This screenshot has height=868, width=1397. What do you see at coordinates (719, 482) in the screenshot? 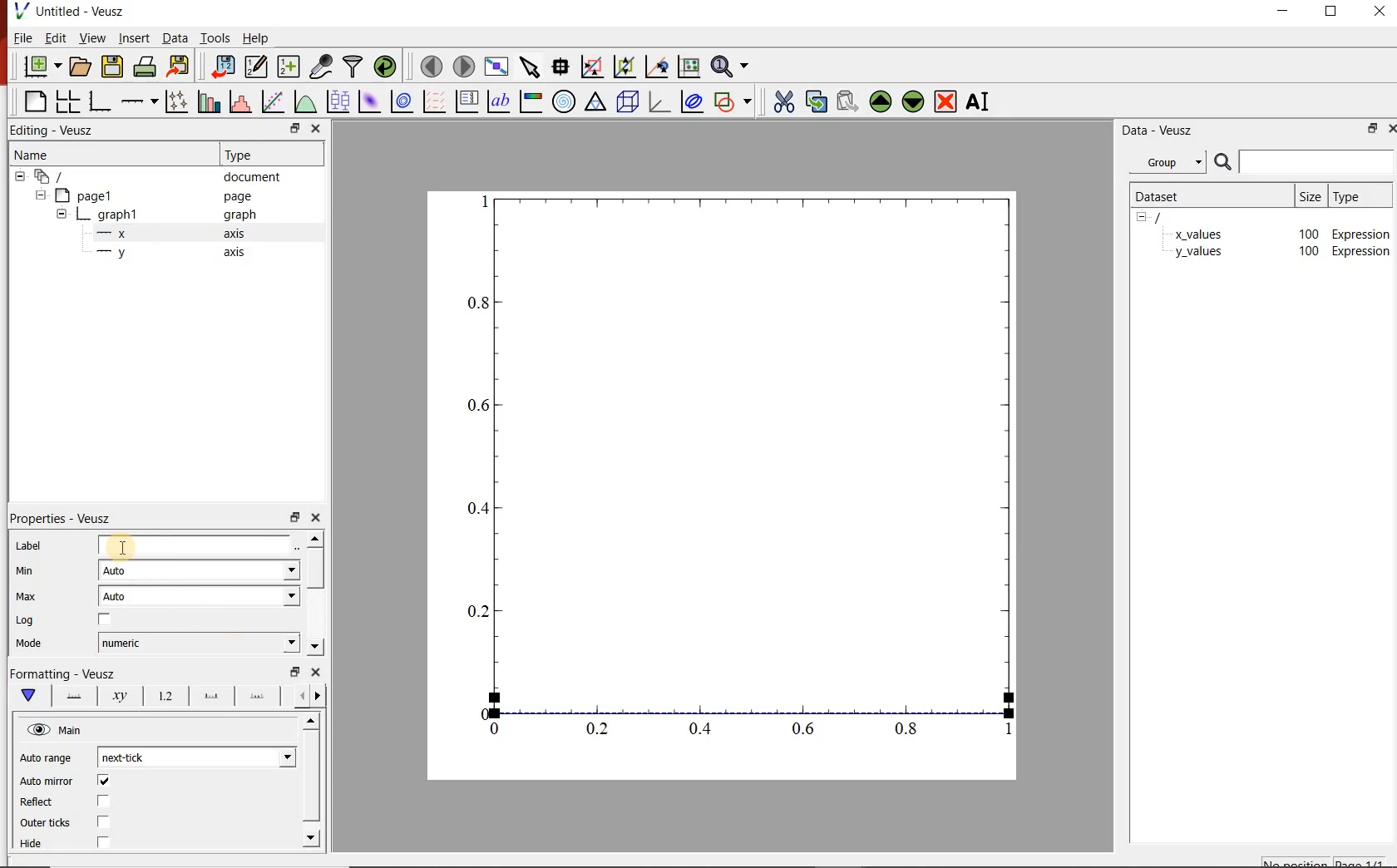
I see `graph` at bounding box center [719, 482].